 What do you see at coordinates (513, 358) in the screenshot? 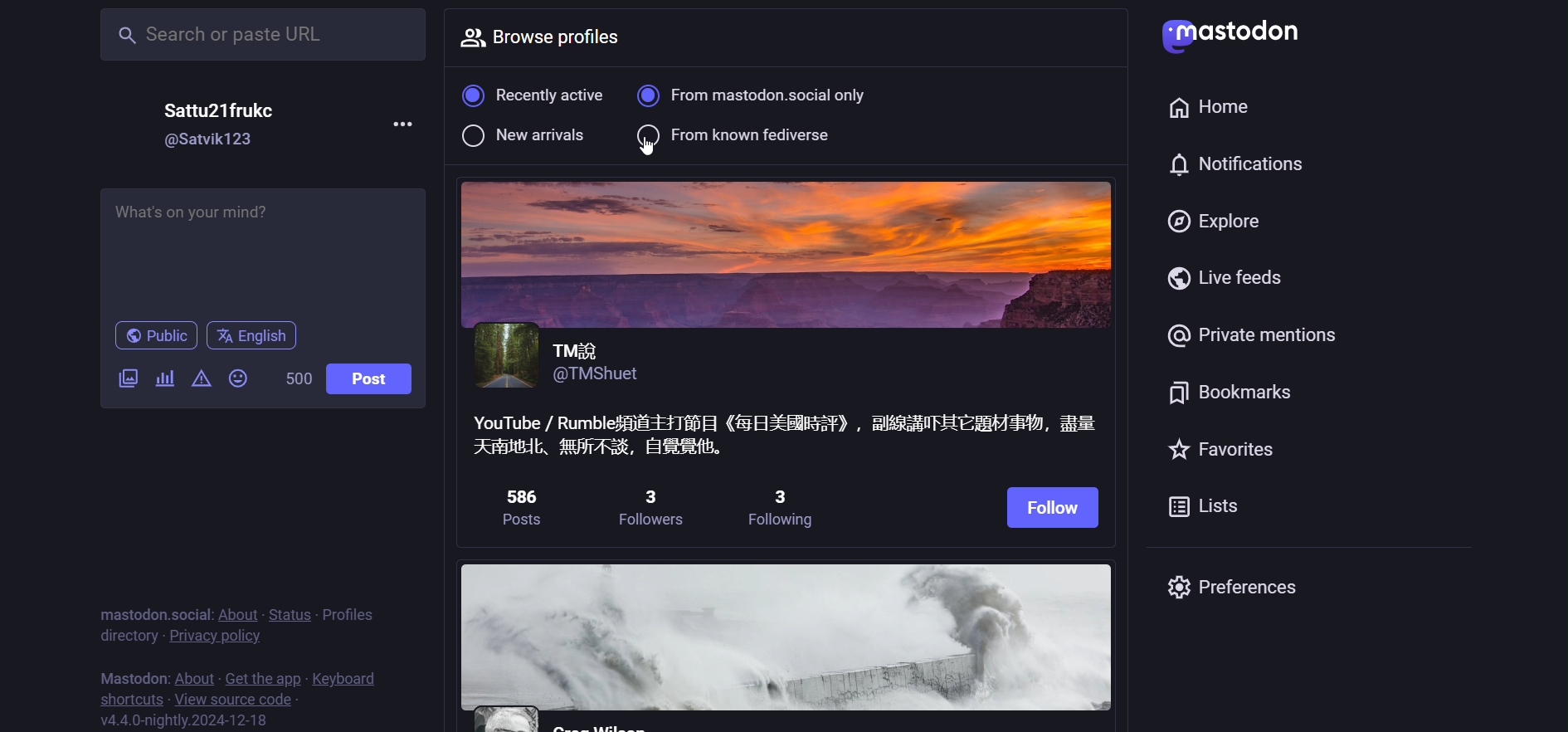
I see `profile picture` at bounding box center [513, 358].